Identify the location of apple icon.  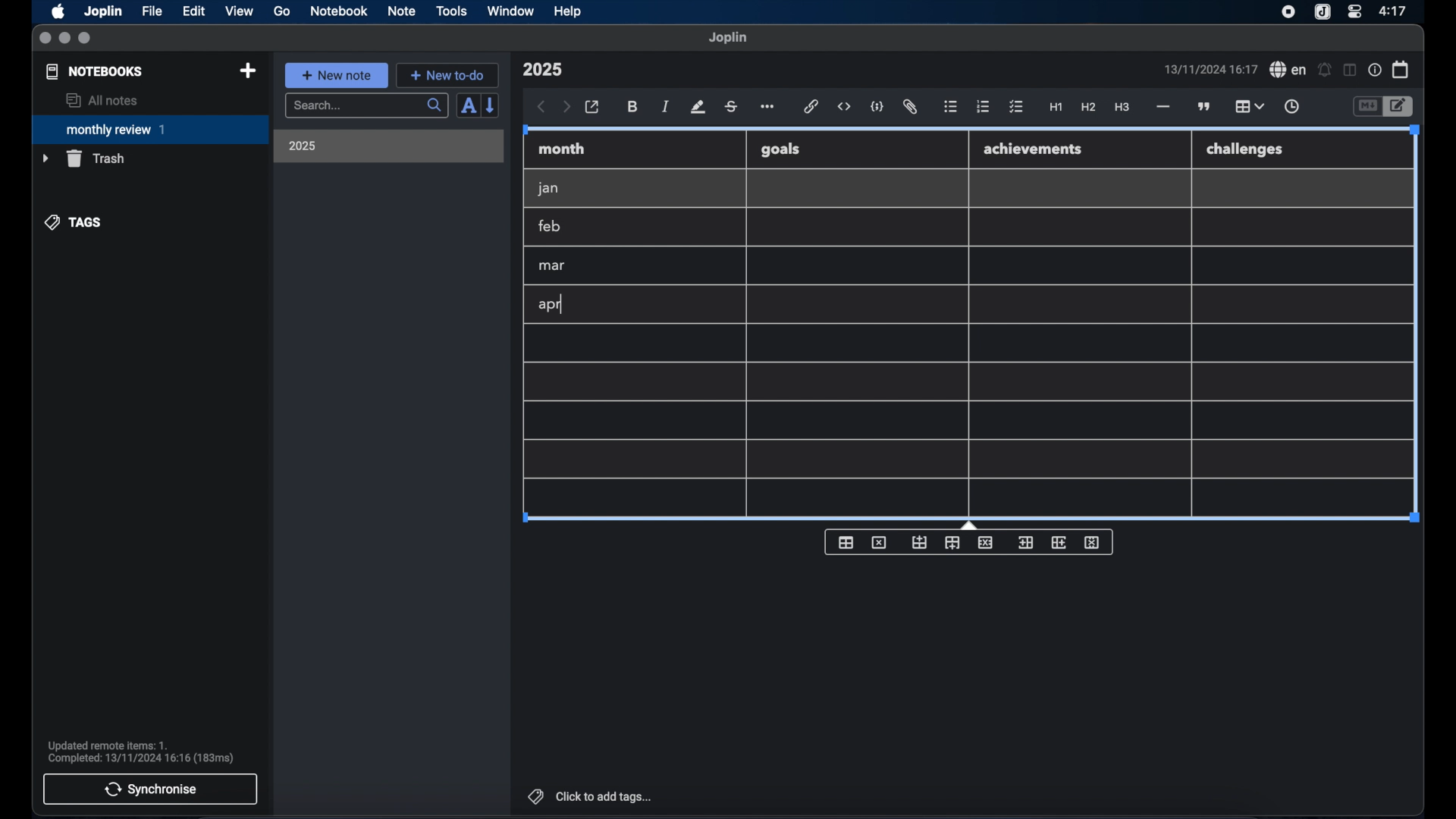
(57, 11).